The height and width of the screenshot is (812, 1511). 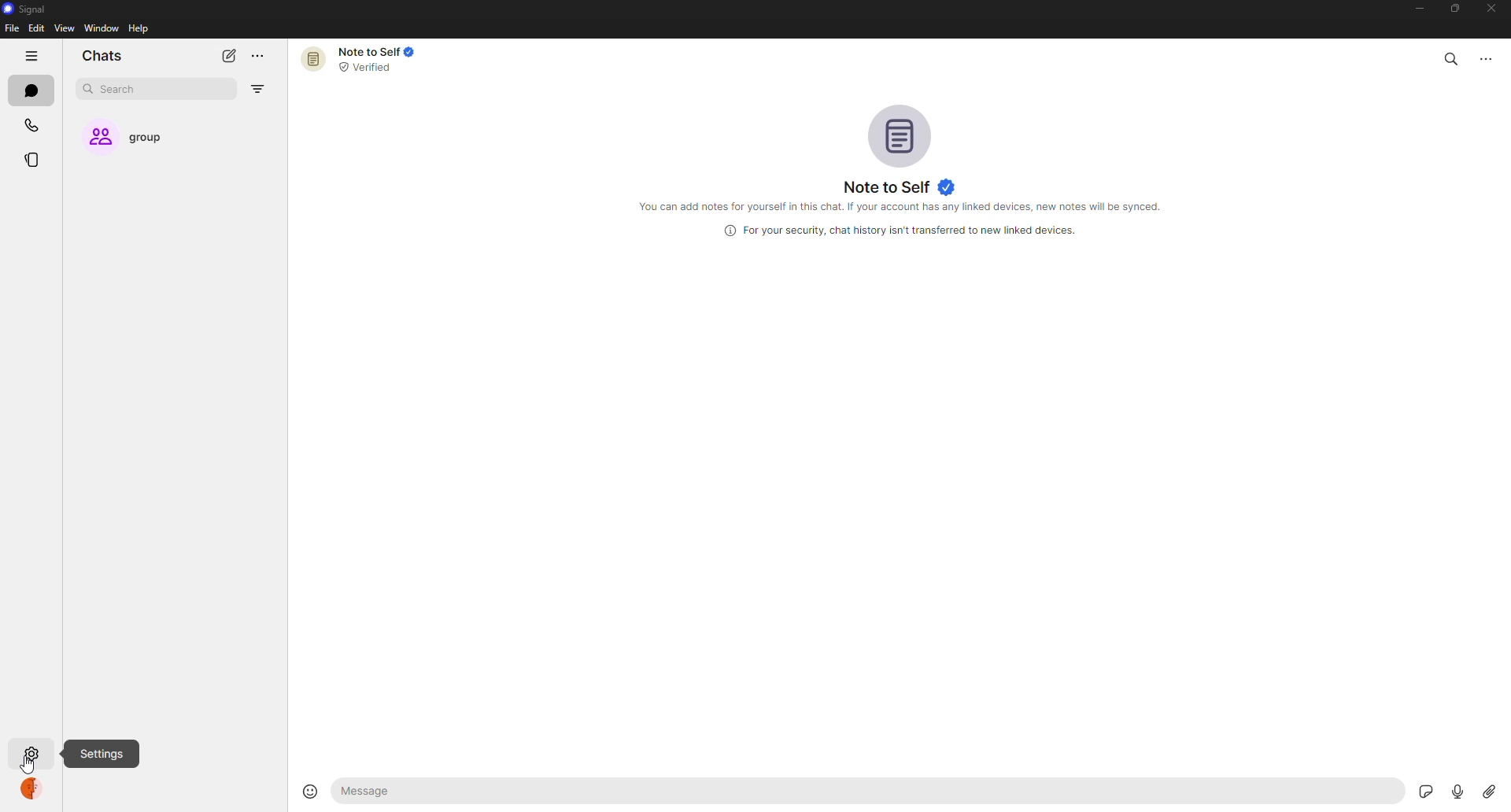 I want to click on record, so click(x=1452, y=791).